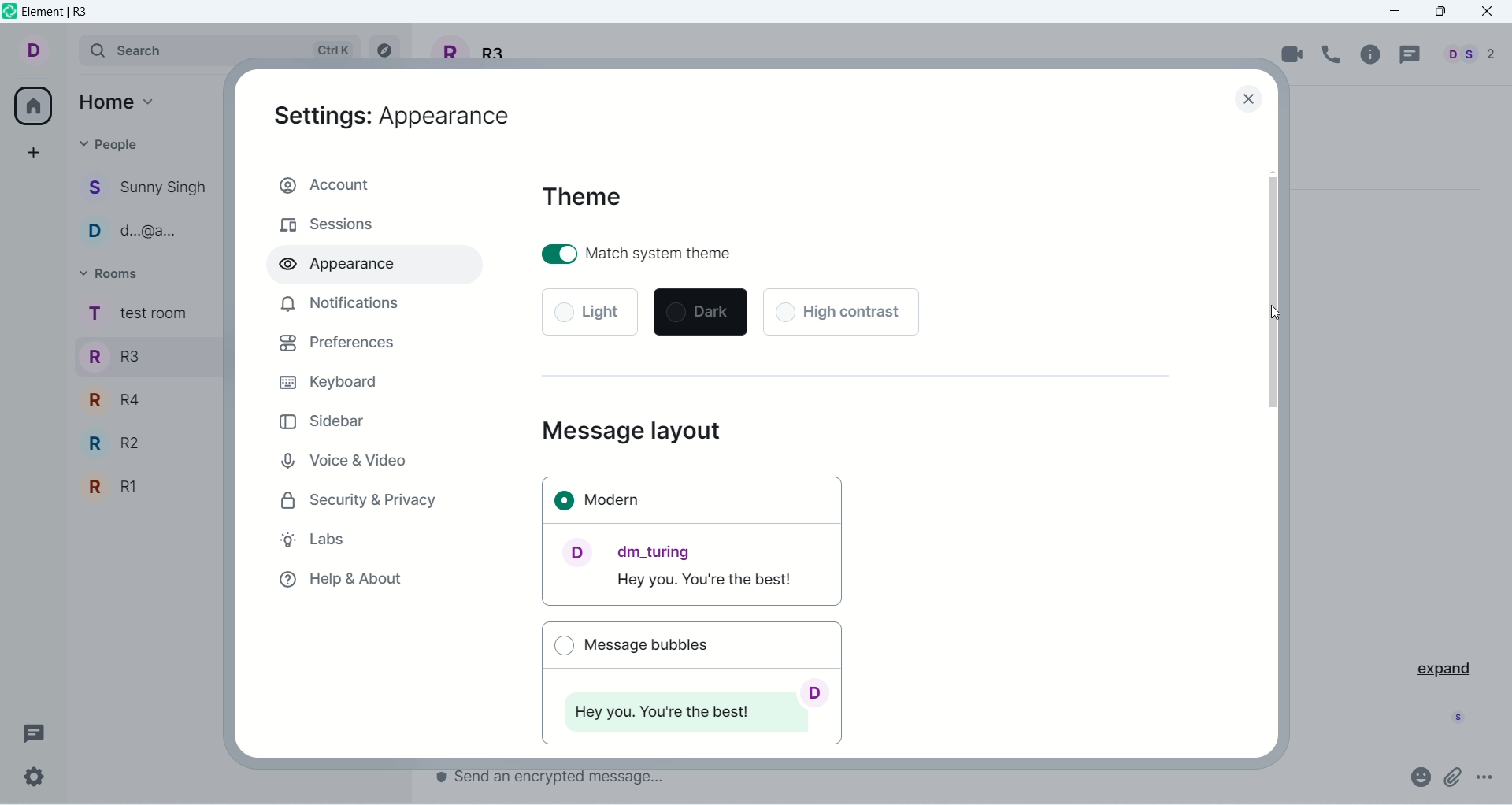 The image size is (1512, 805). I want to click on match system theme, so click(643, 254).